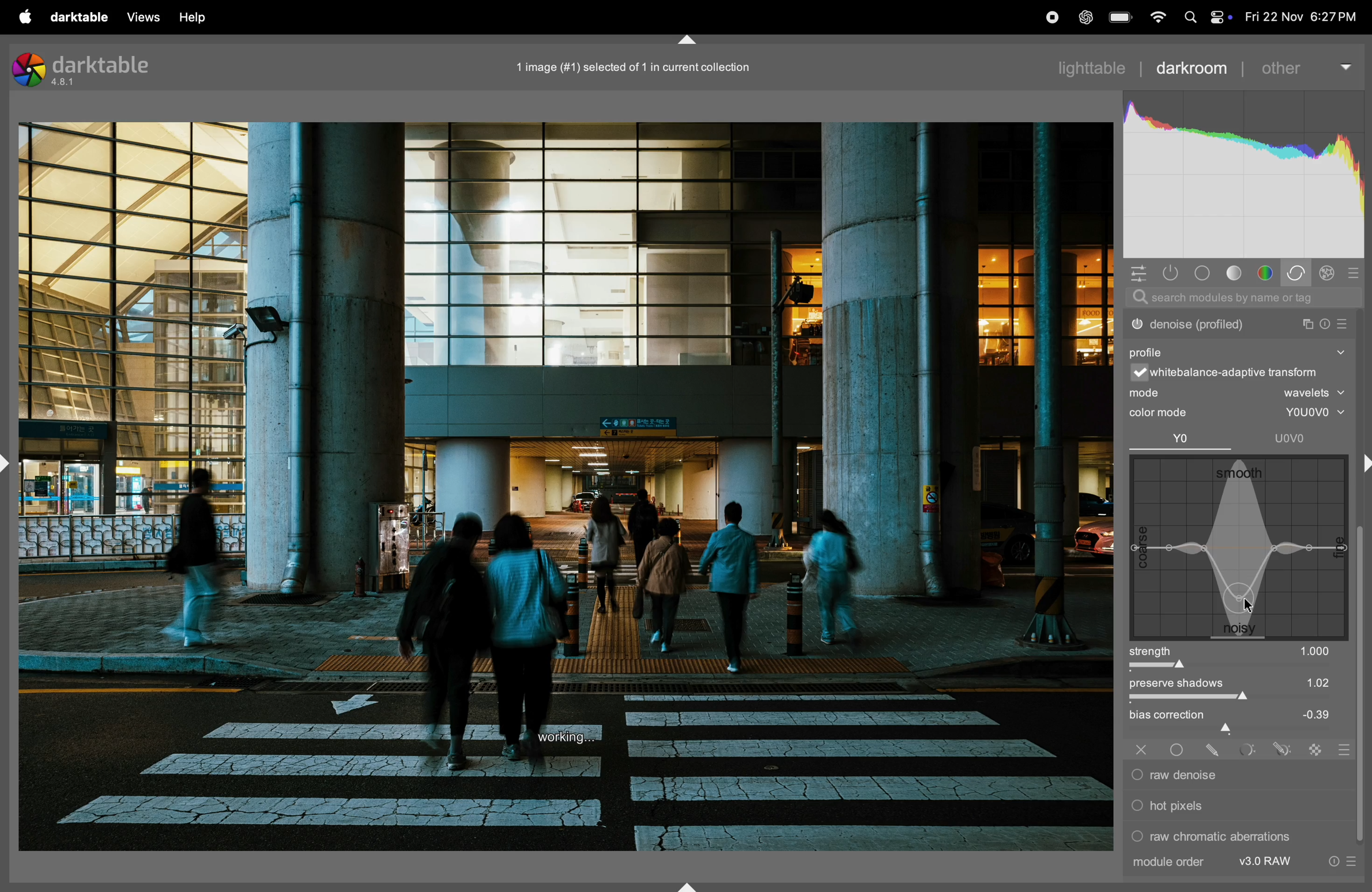 The width and height of the screenshot is (1372, 892). I want to click on shift+ctrl+b, so click(689, 886).